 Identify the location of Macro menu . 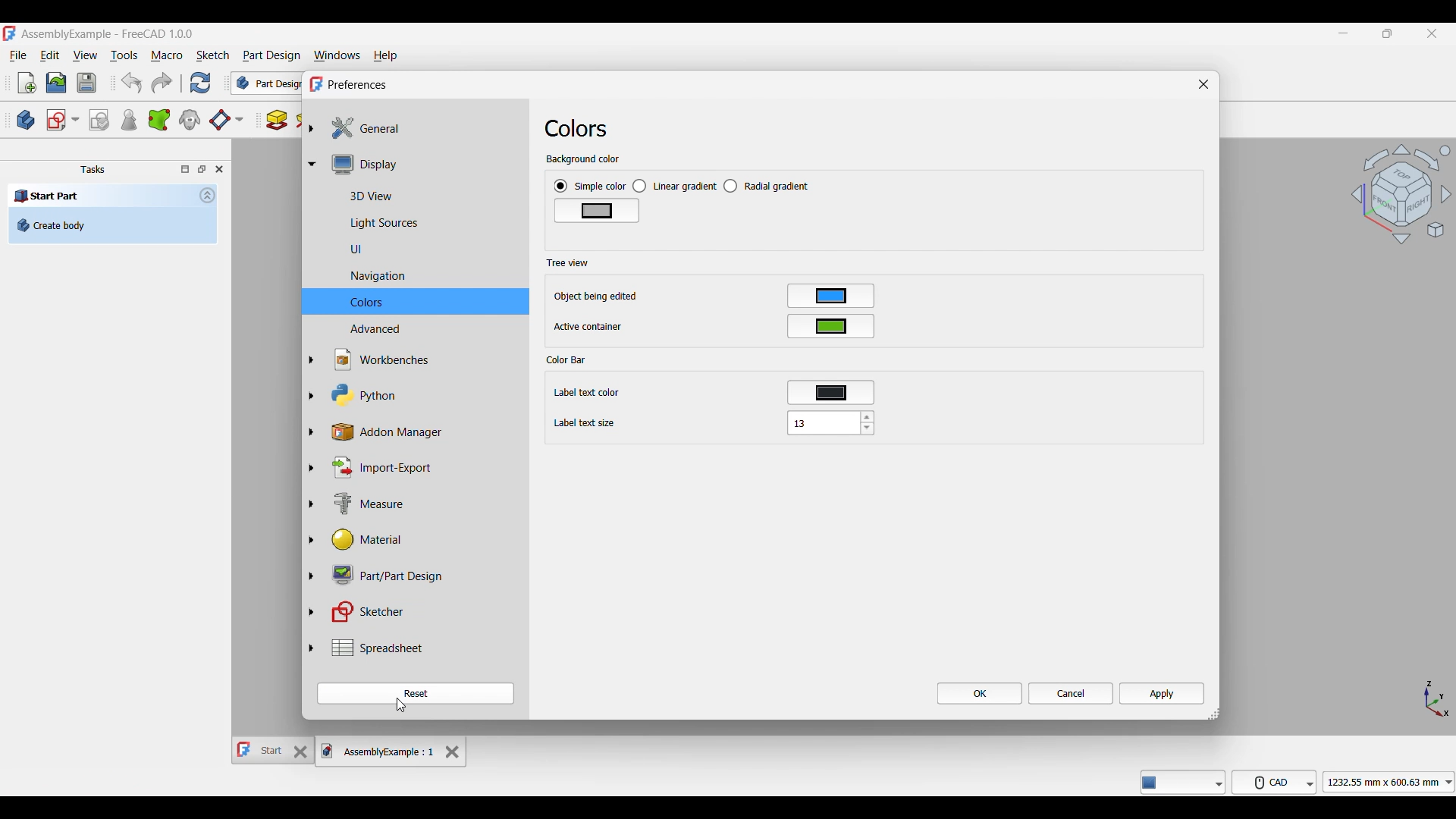
(166, 55).